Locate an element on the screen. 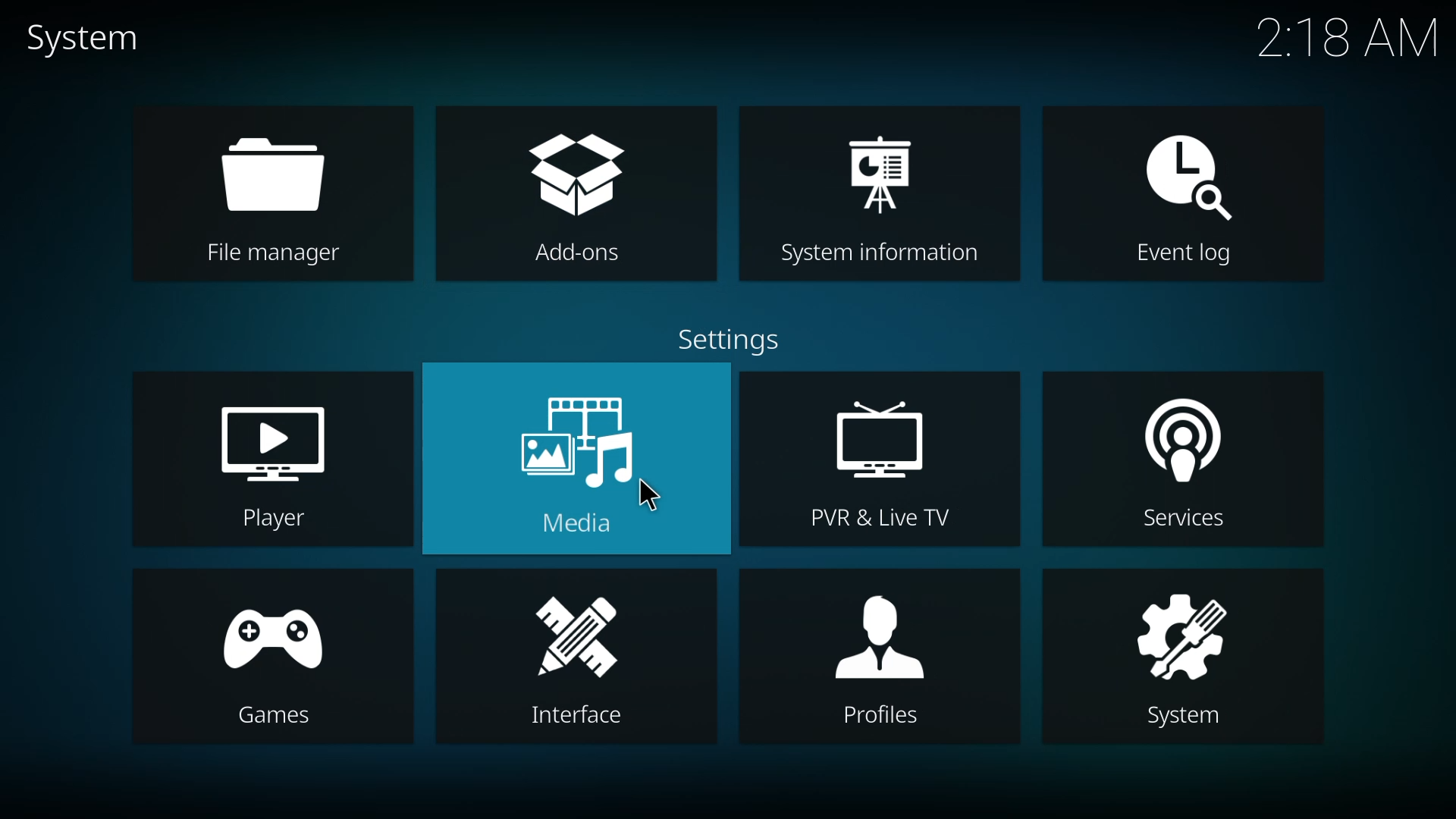 The image size is (1456, 819). add-ons is located at coordinates (579, 194).